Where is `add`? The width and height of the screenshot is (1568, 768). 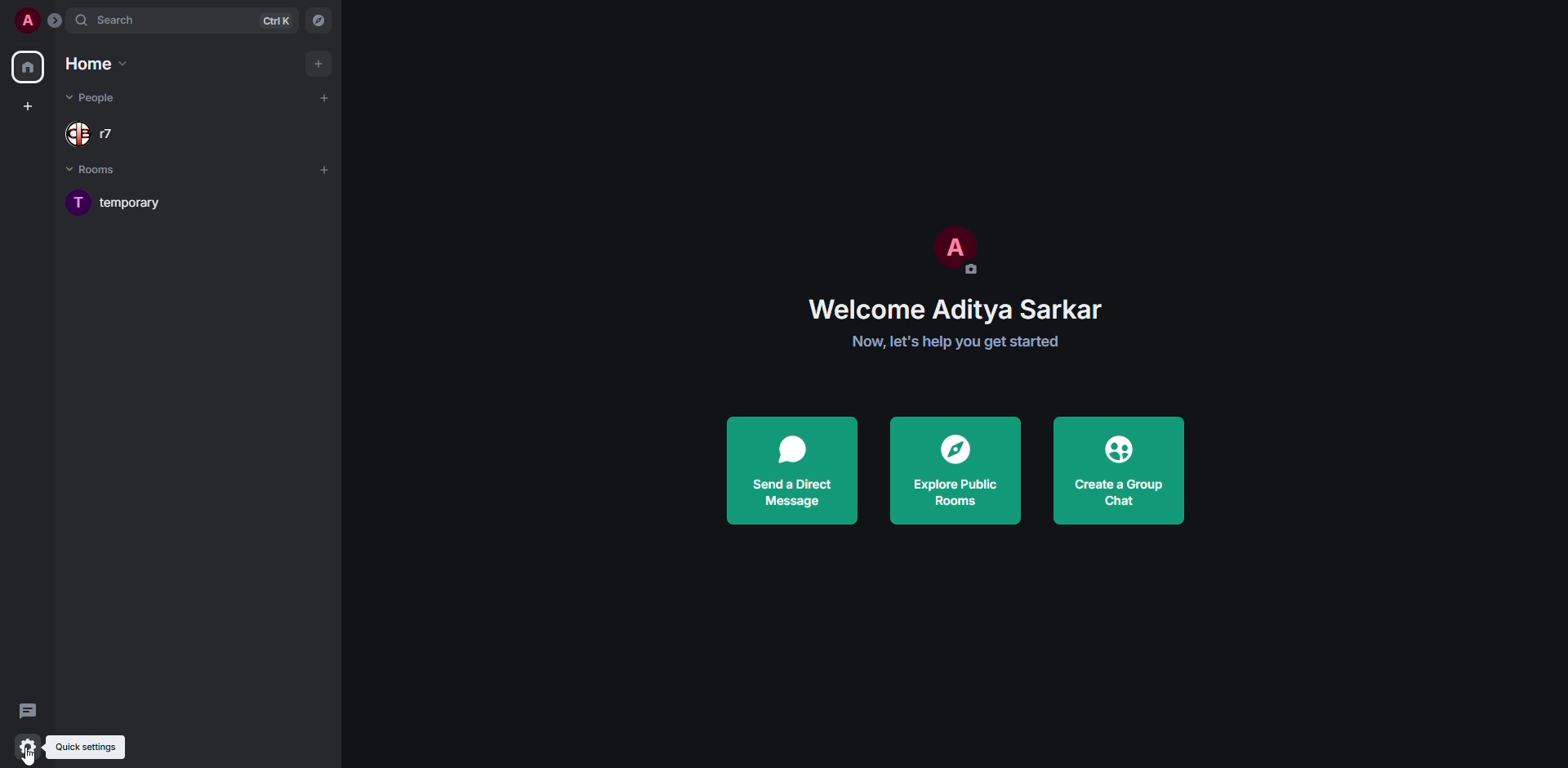
add is located at coordinates (320, 65).